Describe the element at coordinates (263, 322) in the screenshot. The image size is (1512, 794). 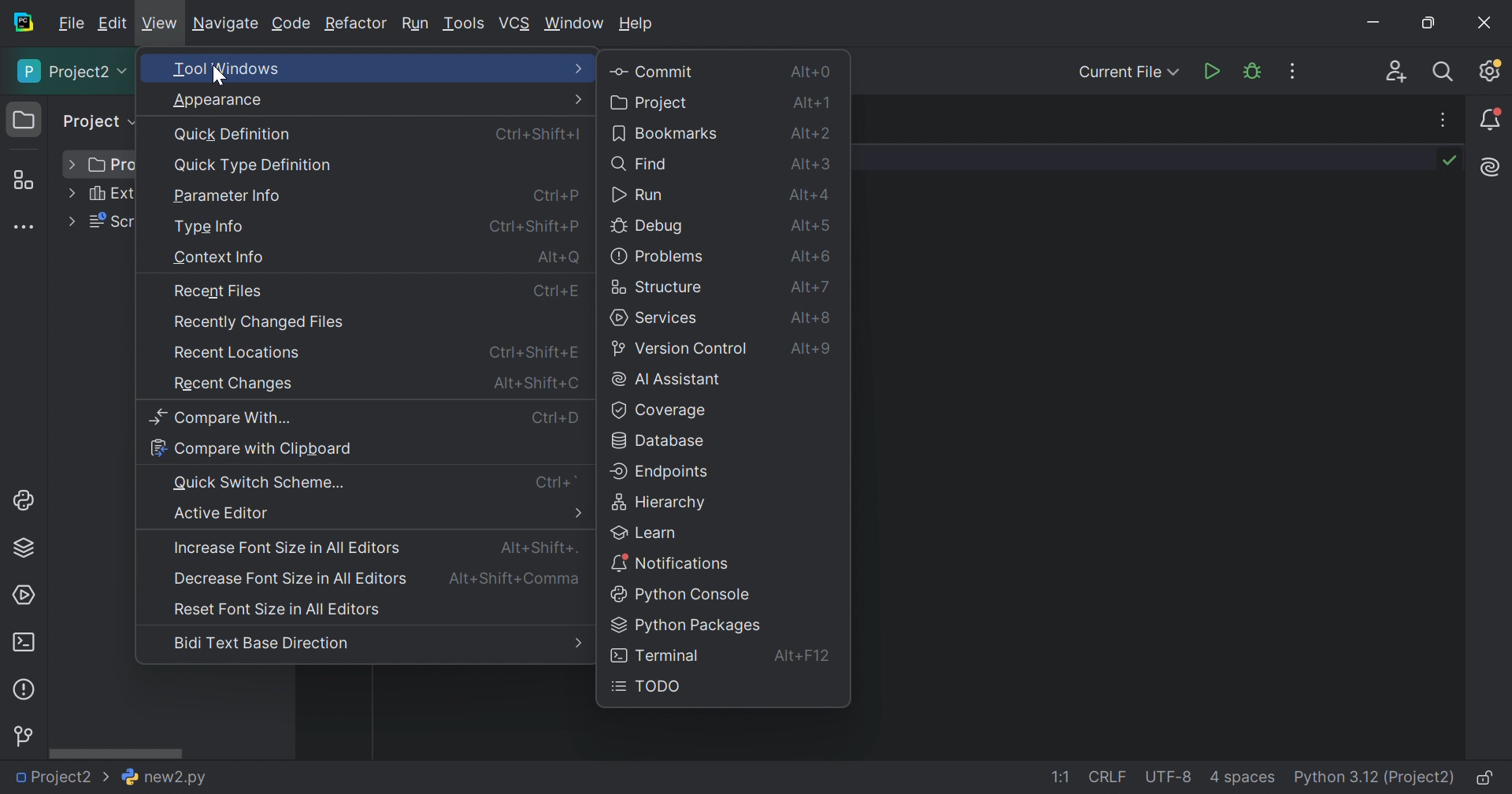
I see `Recently changed files` at that location.